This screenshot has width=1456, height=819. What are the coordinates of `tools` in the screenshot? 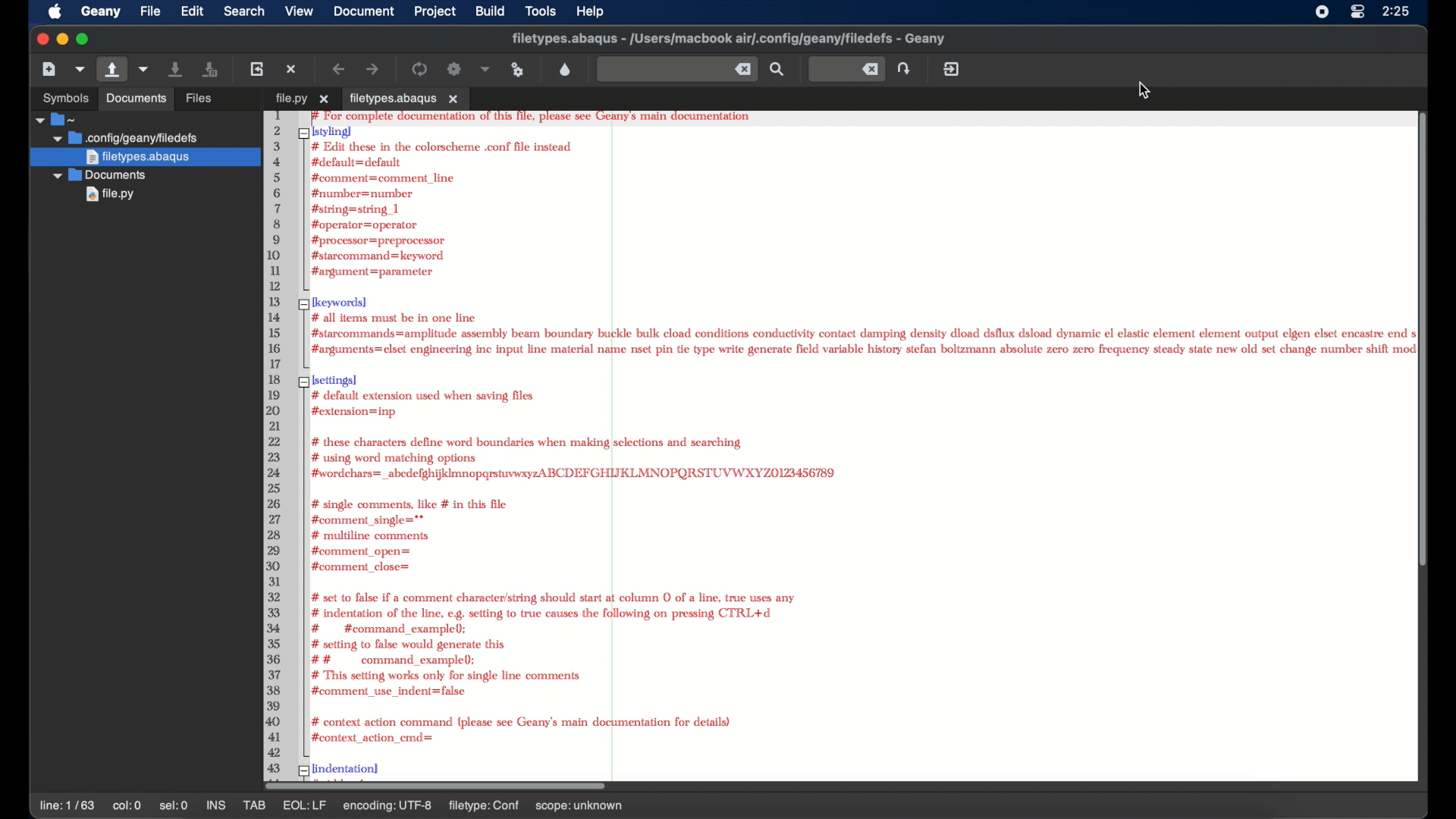 It's located at (541, 11).